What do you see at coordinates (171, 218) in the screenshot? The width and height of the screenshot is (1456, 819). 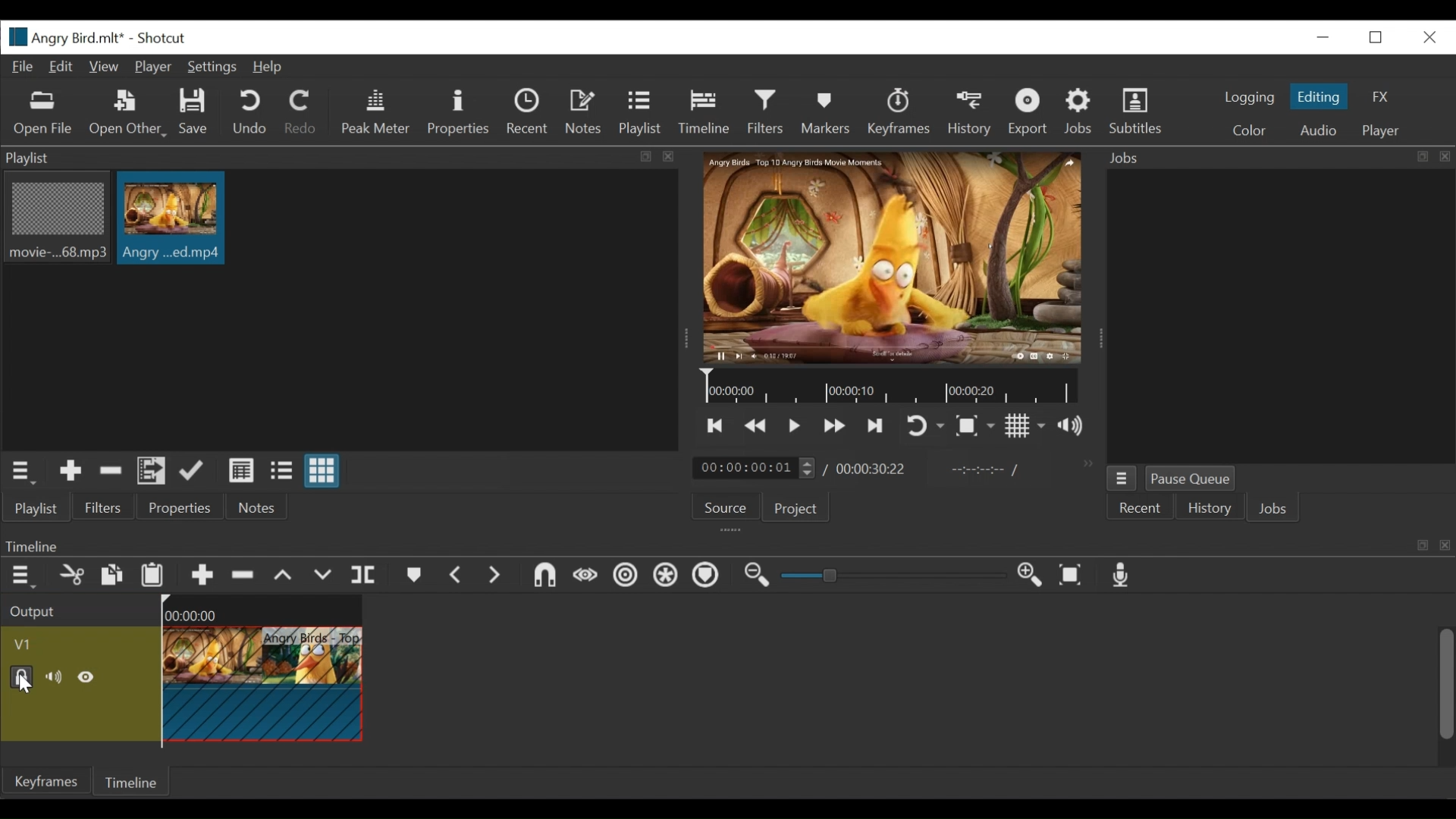 I see `Clip` at bounding box center [171, 218].